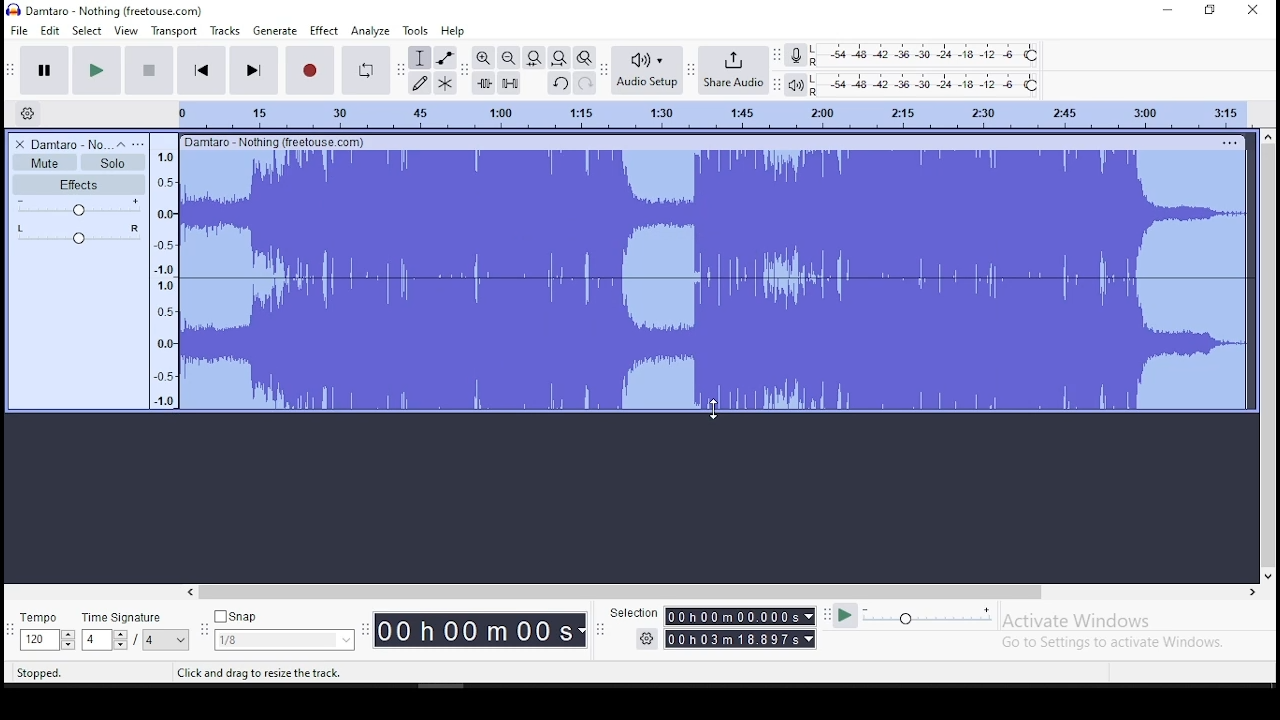 This screenshot has height=720, width=1280. Describe the element at coordinates (46, 69) in the screenshot. I see `pause` at that location.